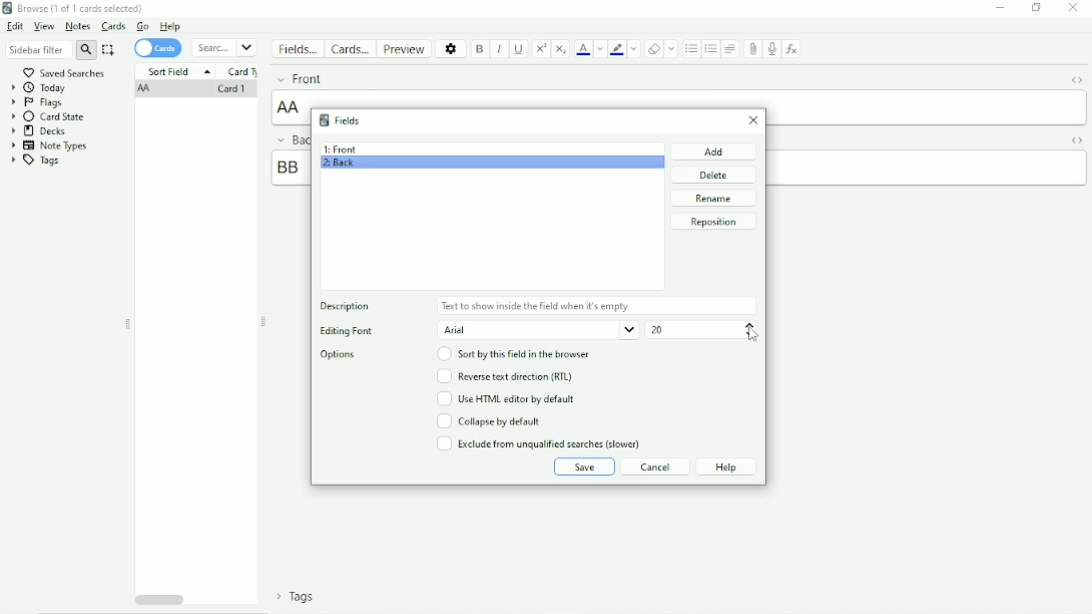 This screenshot has height=614, width=1092. Describe the element at coordinates (538, 330) in the screenshot. I see `Arial` at that location.